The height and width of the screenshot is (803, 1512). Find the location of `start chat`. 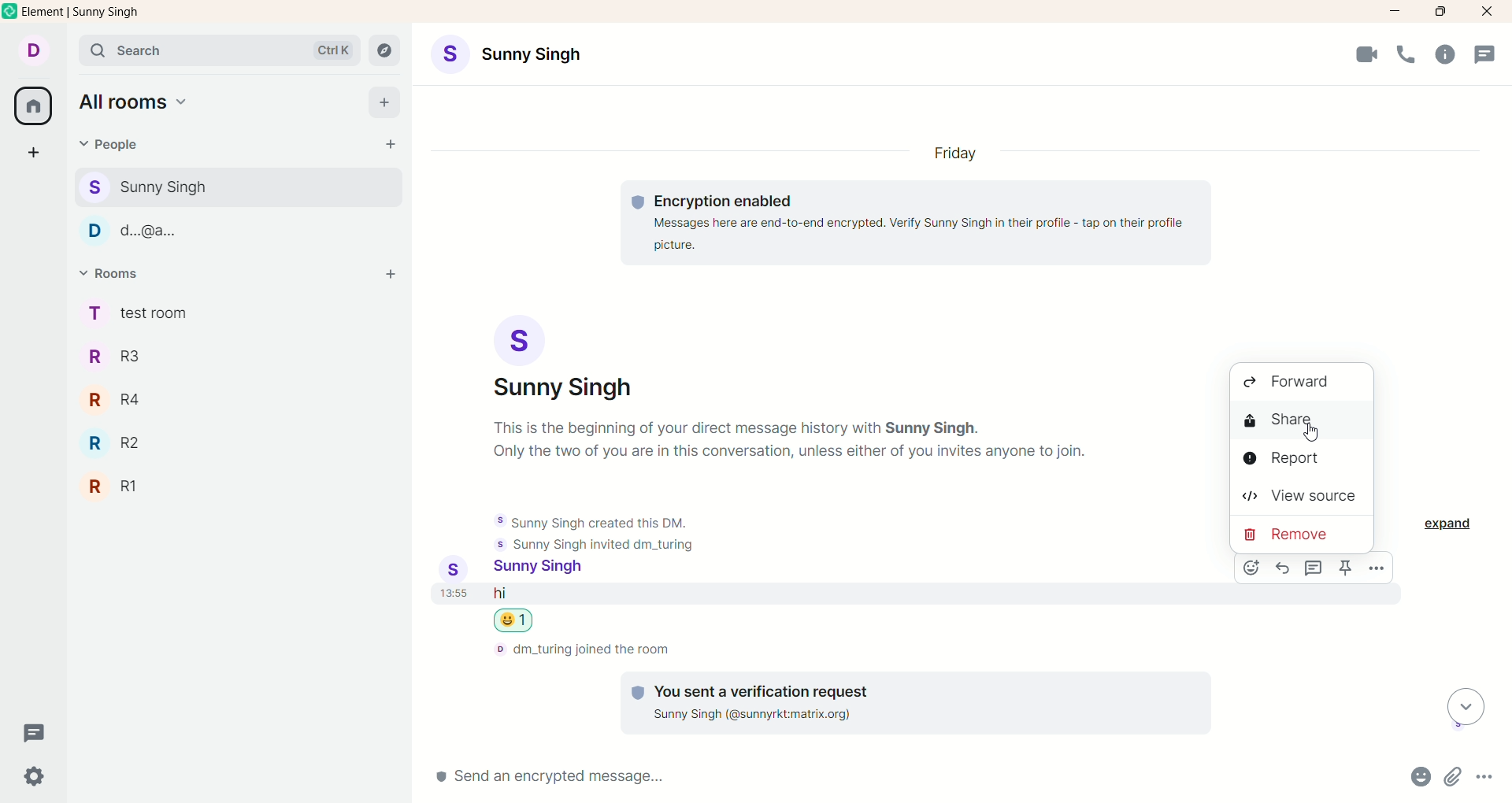

start chat is located at coordinates (381, 146).